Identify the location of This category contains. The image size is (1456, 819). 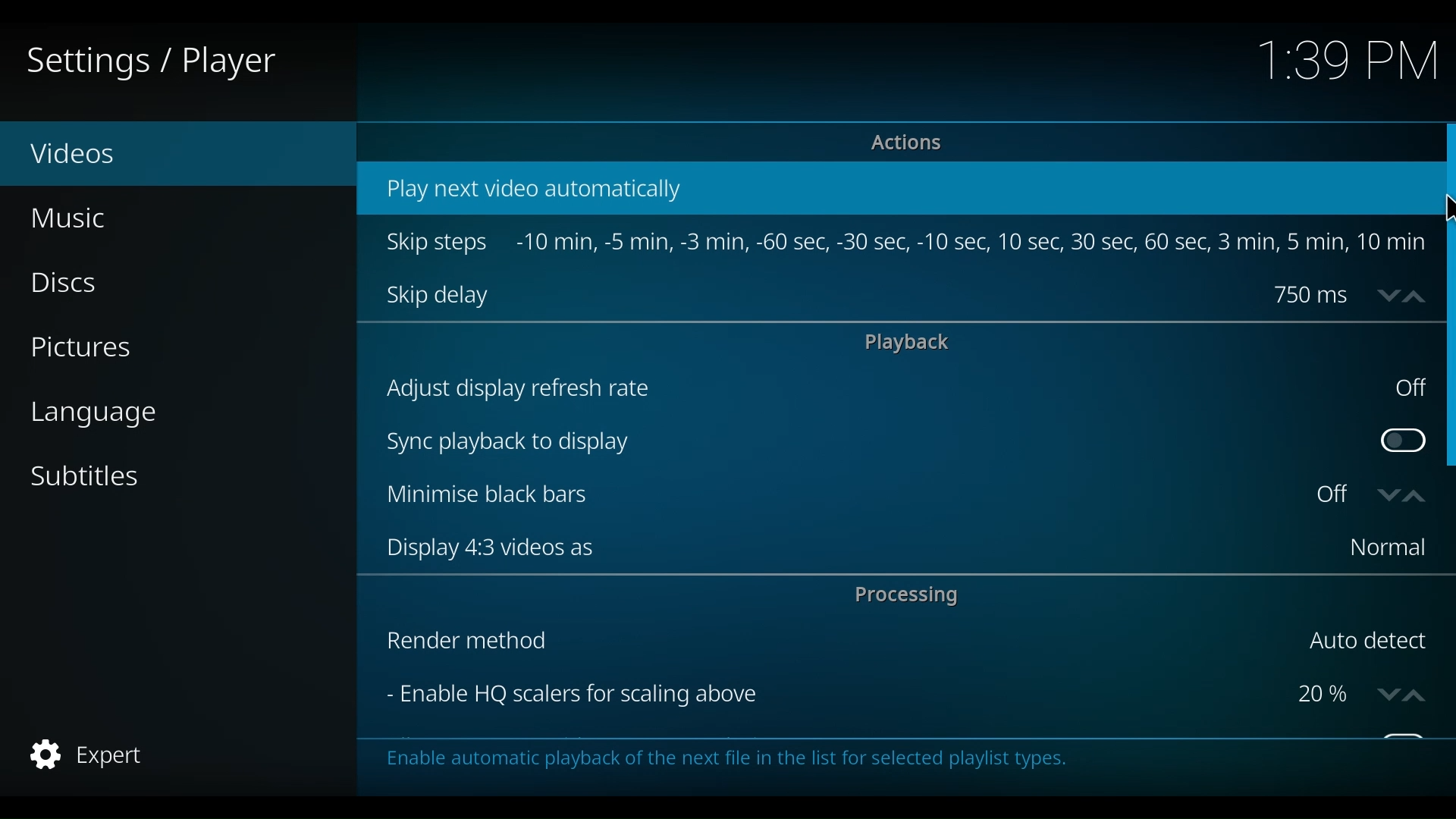
(652, 758).